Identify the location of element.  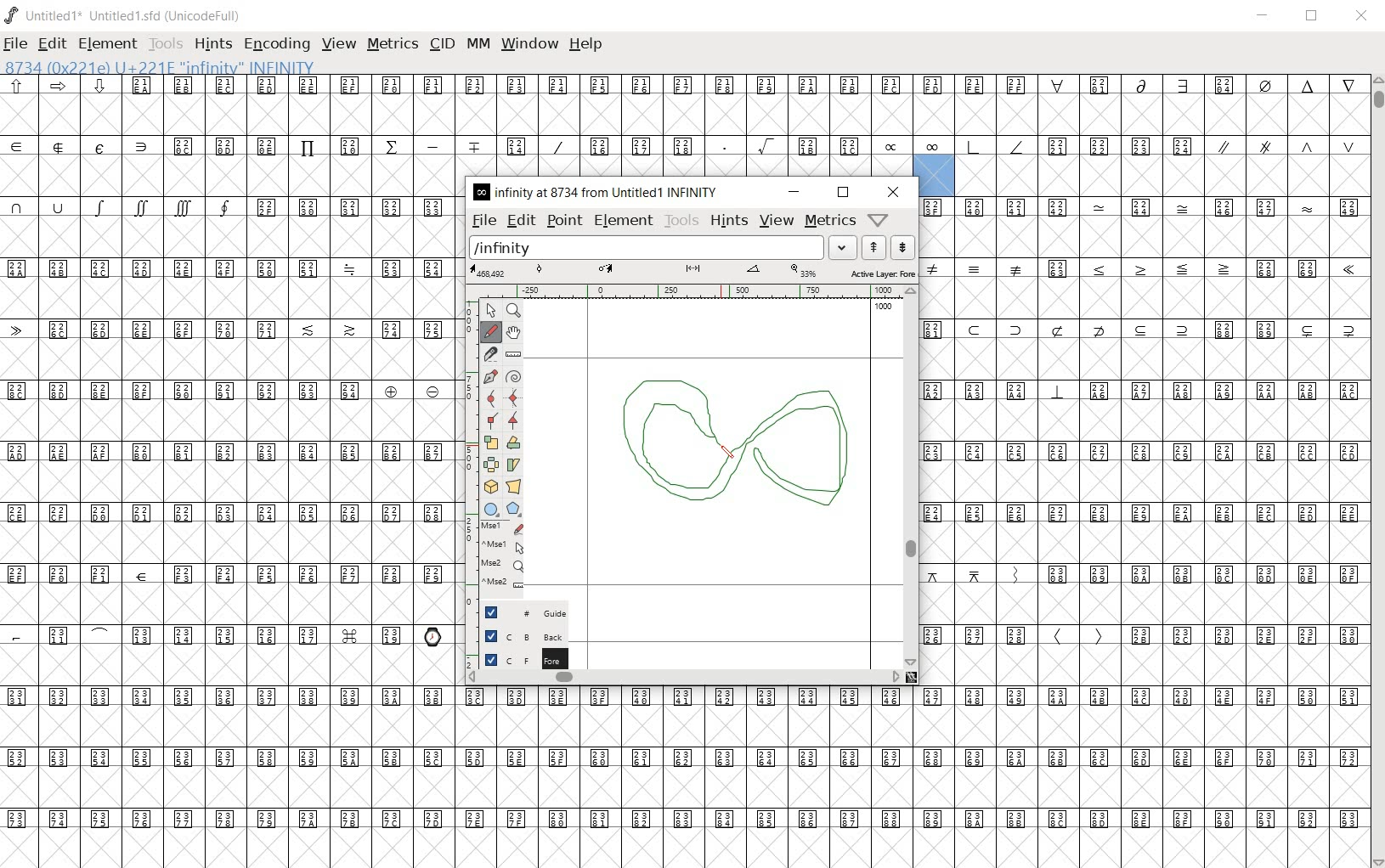
(624, 222).